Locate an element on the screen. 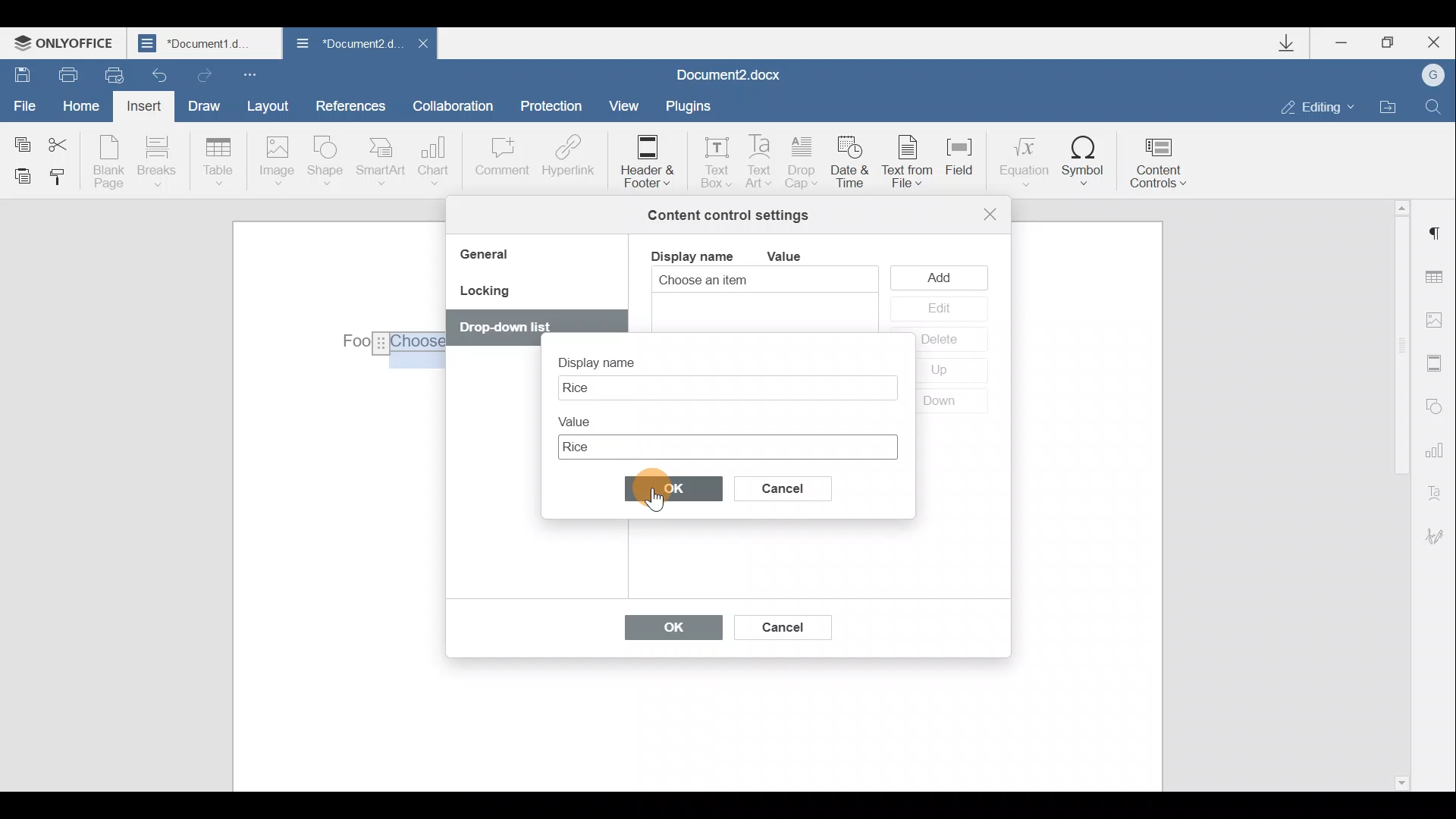 Image resolution: width=1456 pixels, height=819 pixels. Account name is located at coordinates (1428, 76).